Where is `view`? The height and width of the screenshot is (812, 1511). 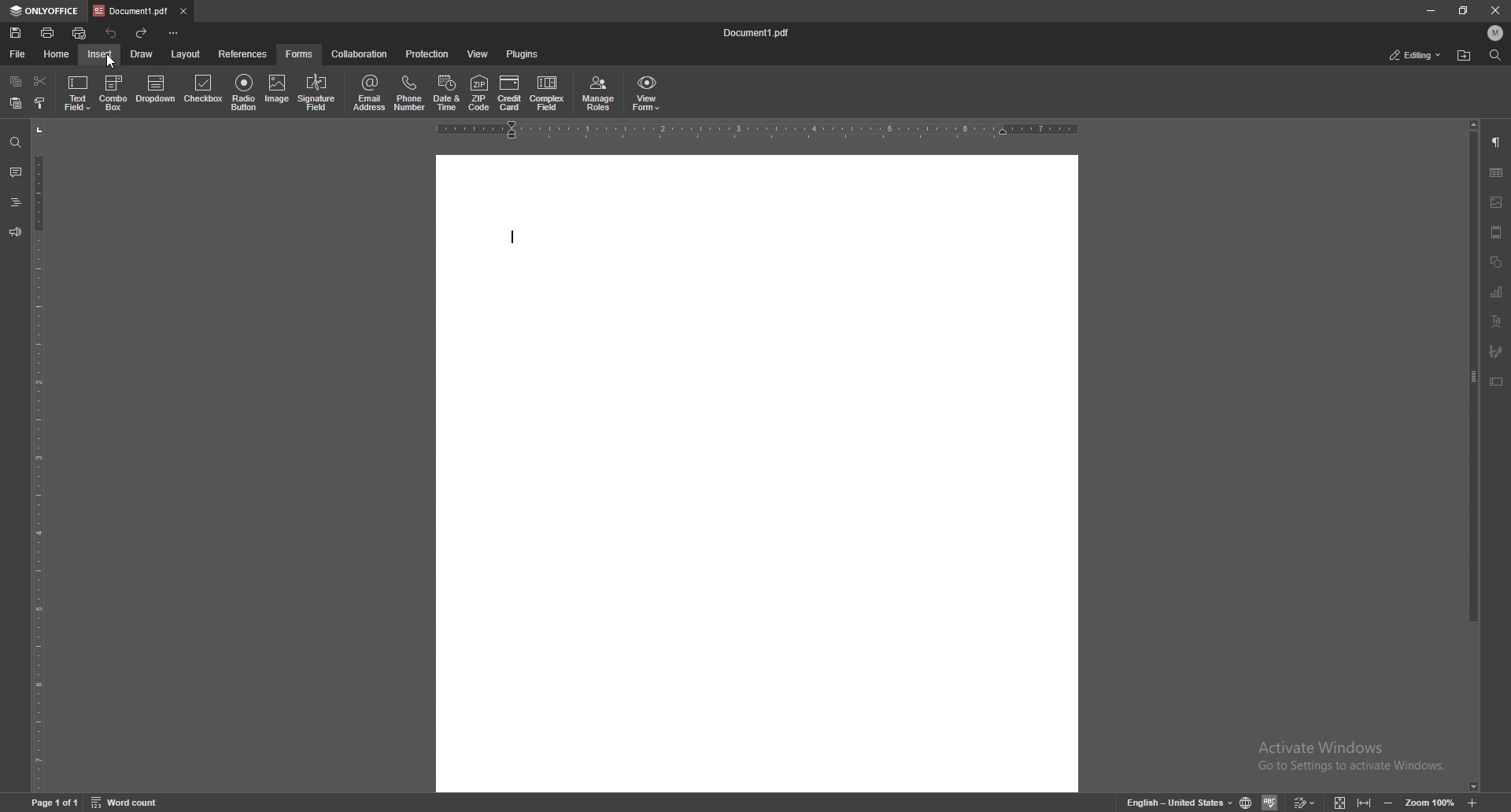 view is located at coordinates (478, 54).